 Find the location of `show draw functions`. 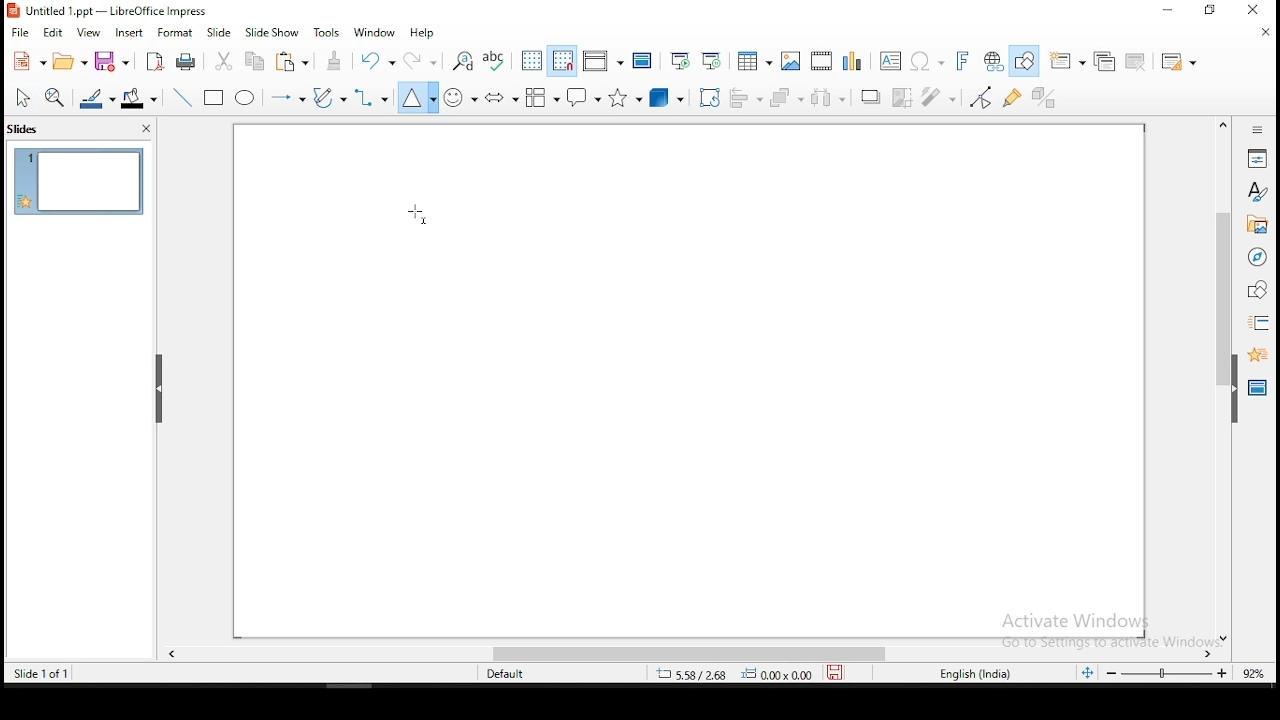

show draw functions is located at coordinates (1023, 62).